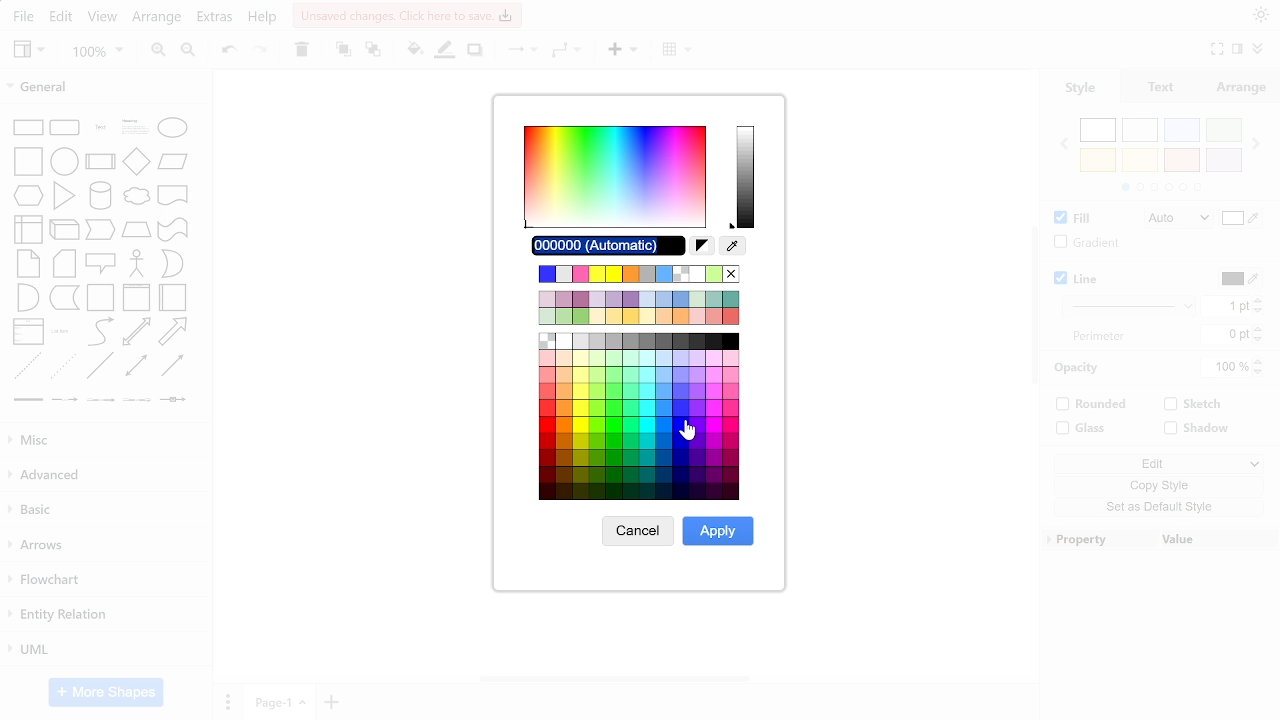 This screenshot has width=1280, height=720. Describe the element at coordinates (1259, 311) in the screenshot. I see `decrease line width` at that location.